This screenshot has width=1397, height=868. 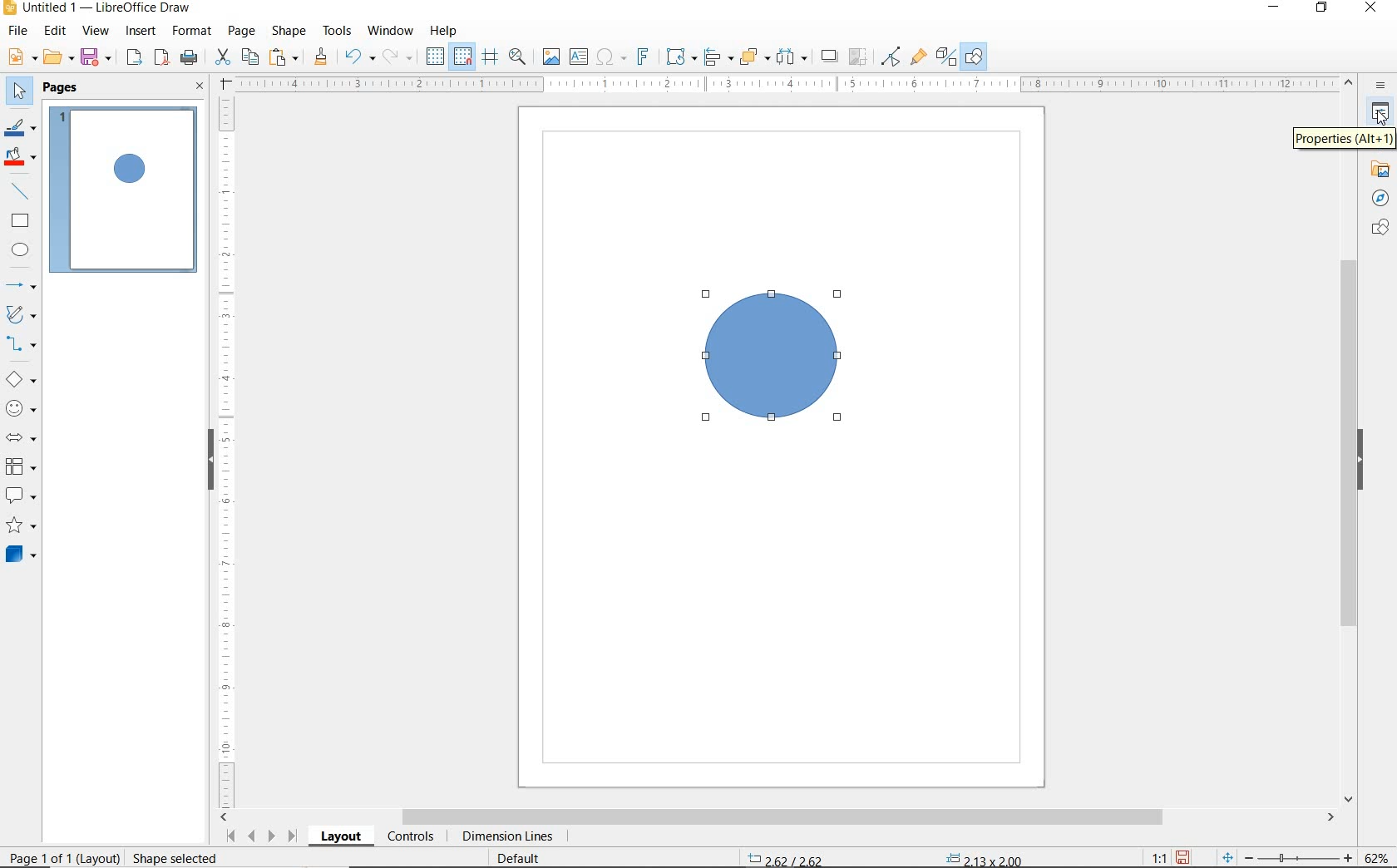 I want to click on First page, so click(x=230, y=839).